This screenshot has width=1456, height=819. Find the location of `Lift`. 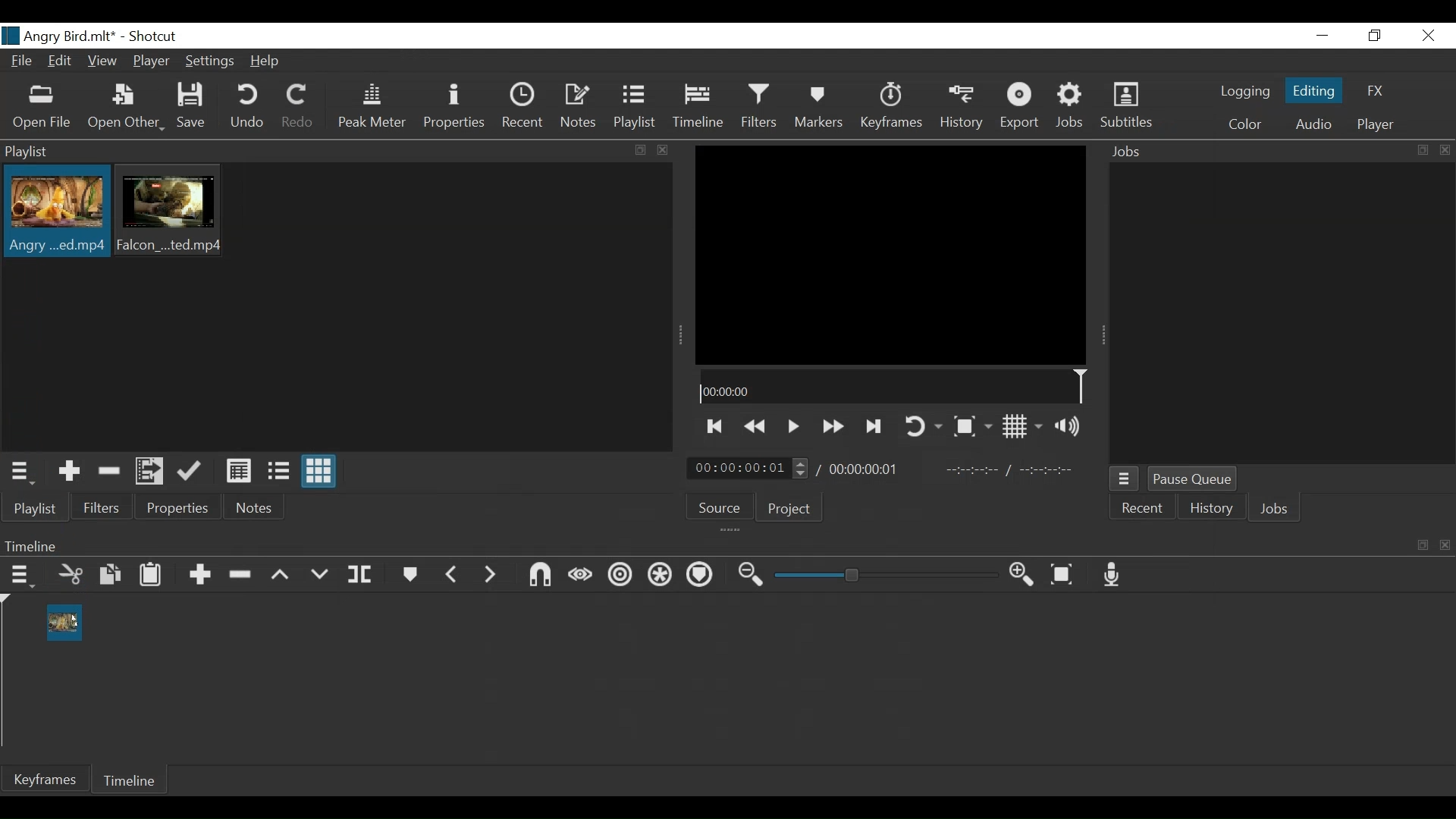

Lift is located at coordinates (280, 575).